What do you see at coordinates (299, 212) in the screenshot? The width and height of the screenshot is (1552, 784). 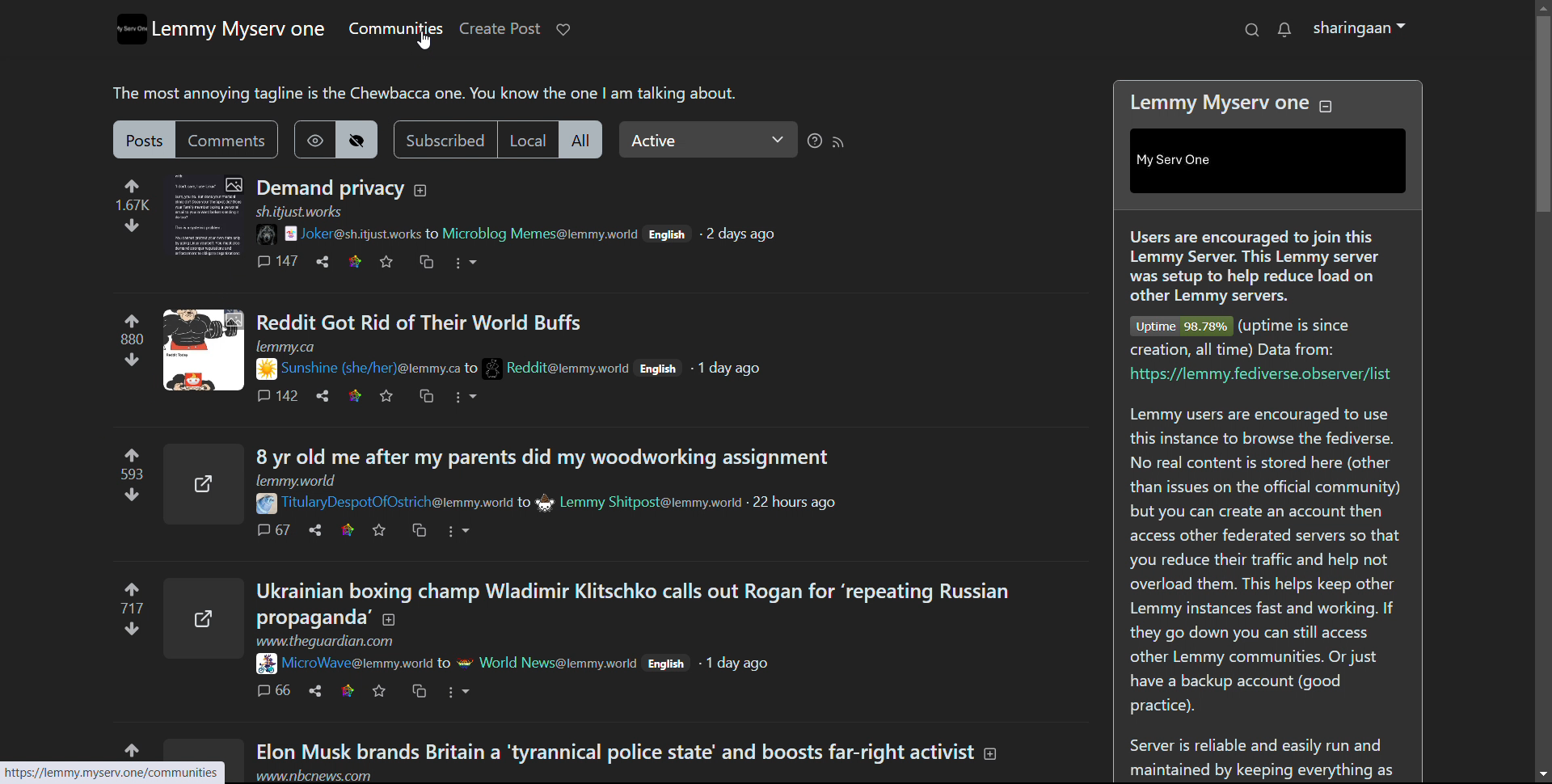 I see `URL` at bounding box center [299, 212].